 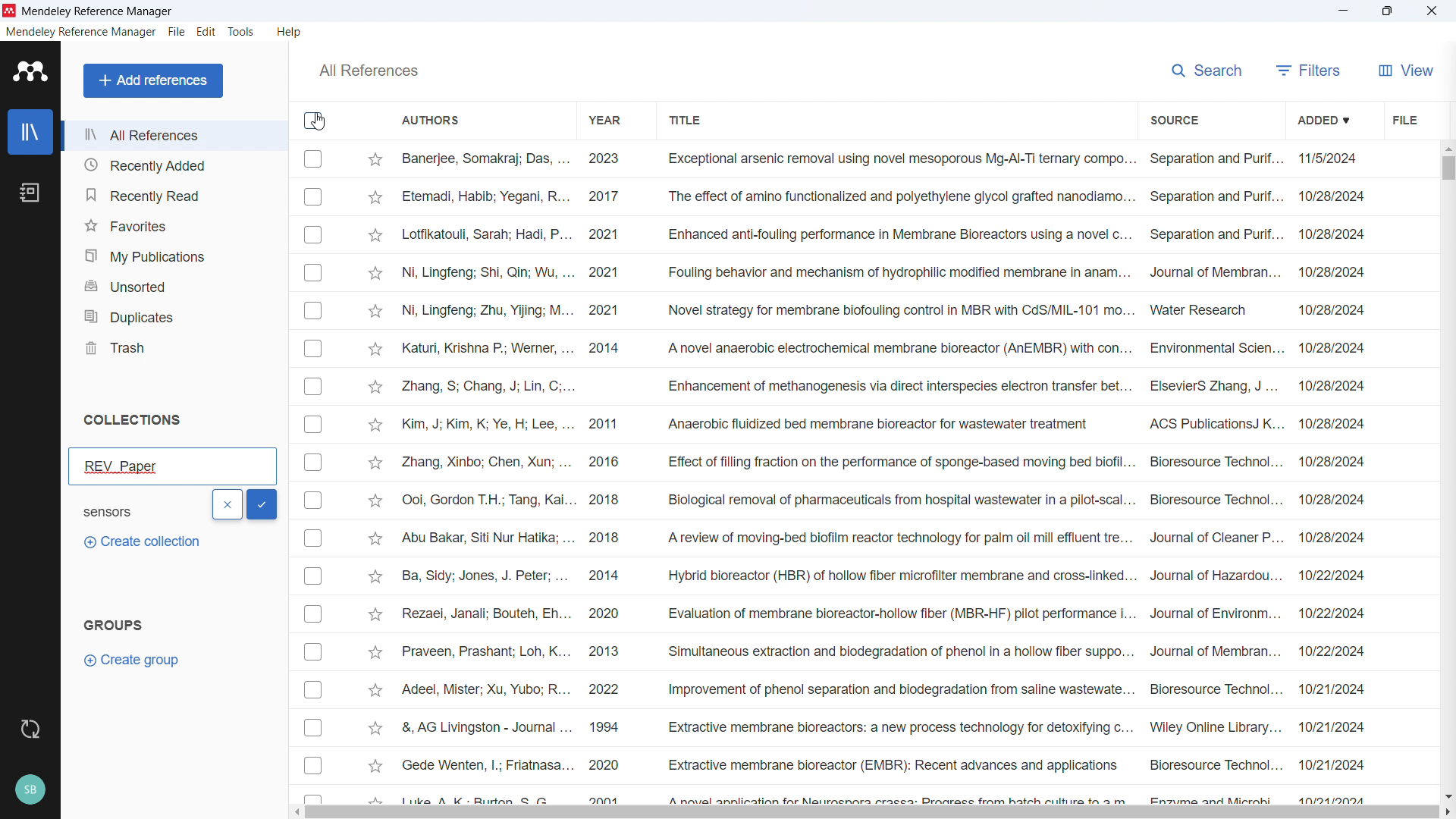 I want to click on Ni, Lingfeng; Shi, Qin; Wu, ... 2021 Fouling behavior and mechanism of hydrophilic modified membrane in anam... Journal of Membran... 10/28/2024, so click(x=886, y=271).